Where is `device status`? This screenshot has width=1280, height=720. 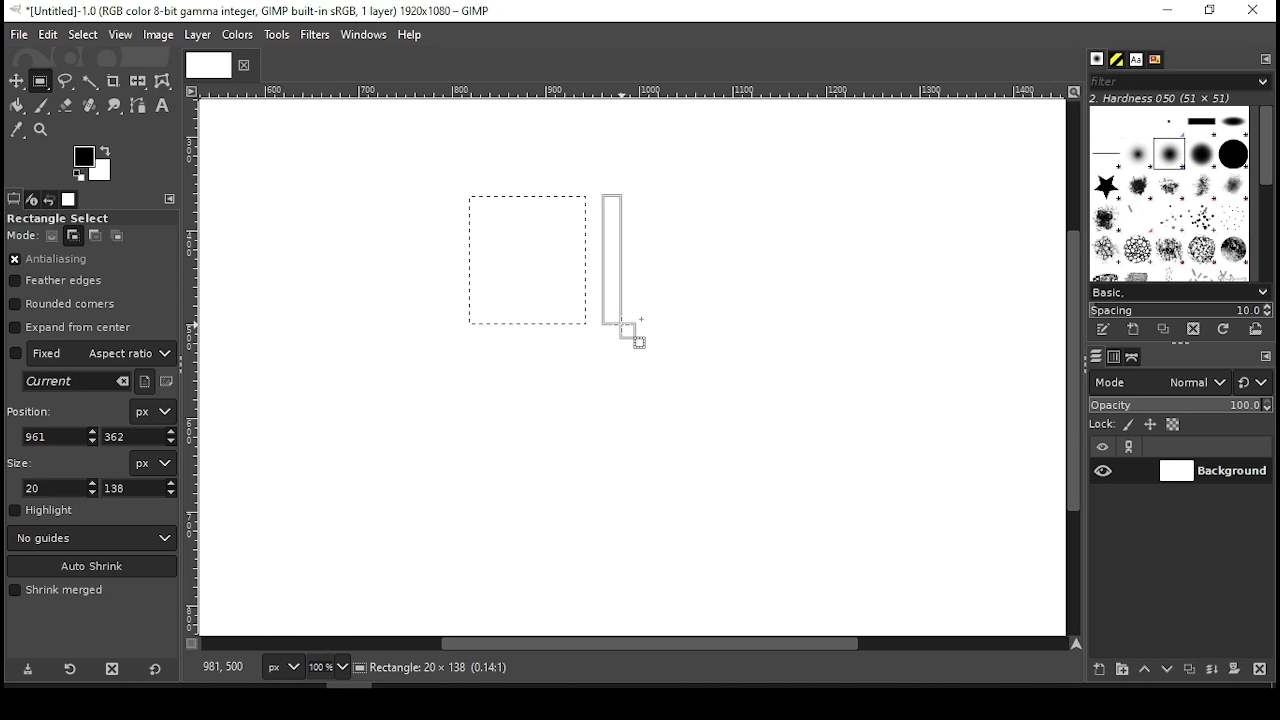 device status is located at coordinates (32, 199).